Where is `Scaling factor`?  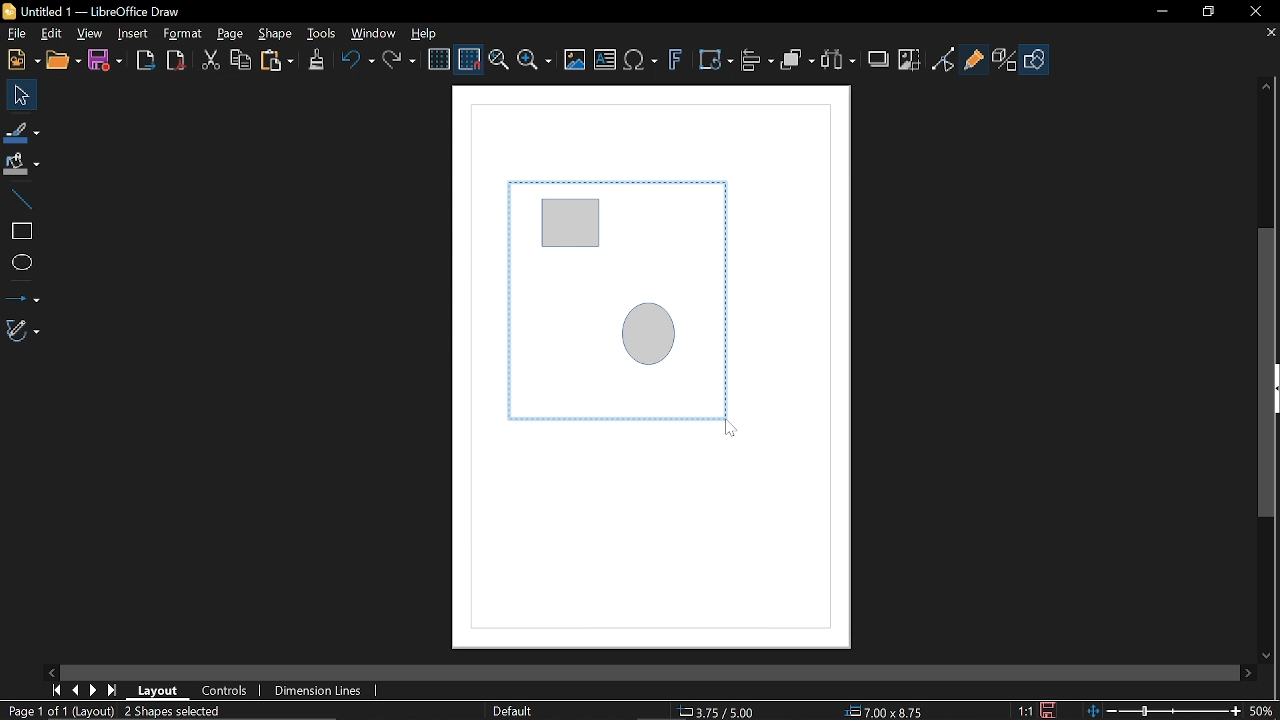 Scaling factor is located at coordinates (1023, 711).